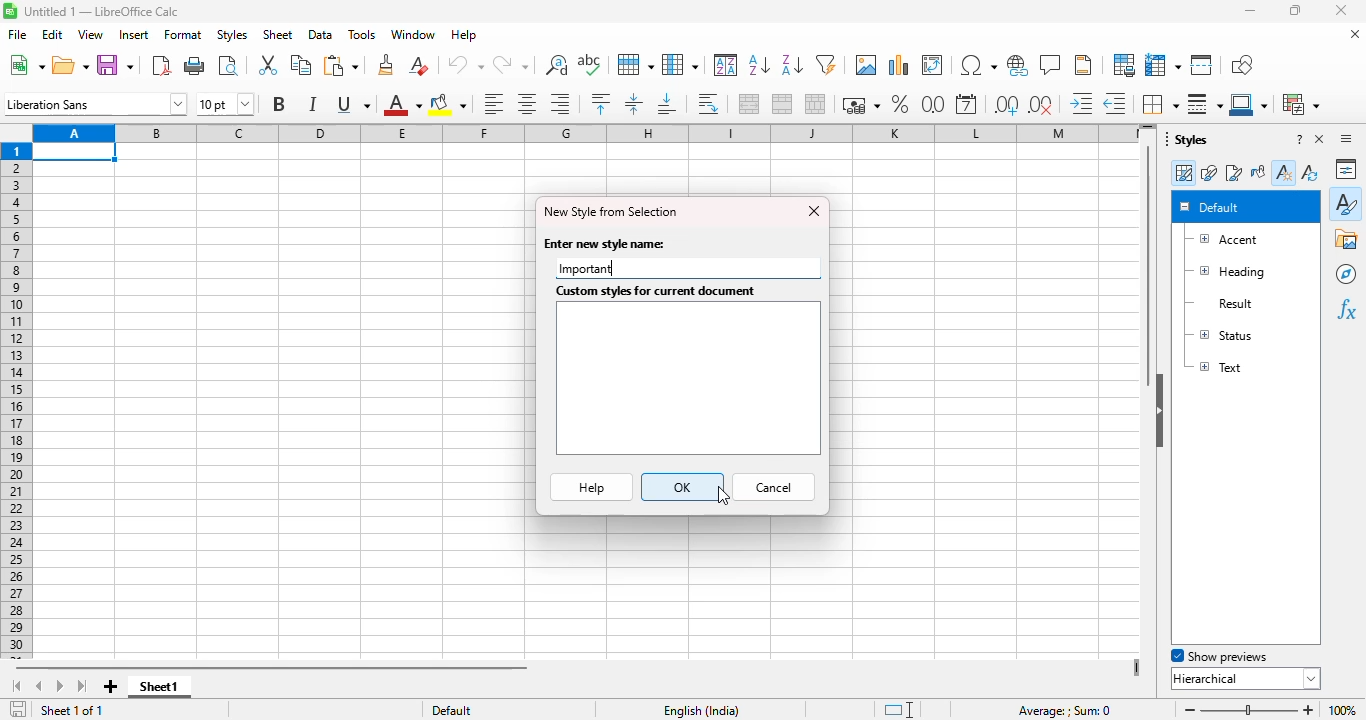 The image size is (1366, 720). Describe the element at coordinates (1258, 172) in the screenshot. I see `fill format mode` at that location.